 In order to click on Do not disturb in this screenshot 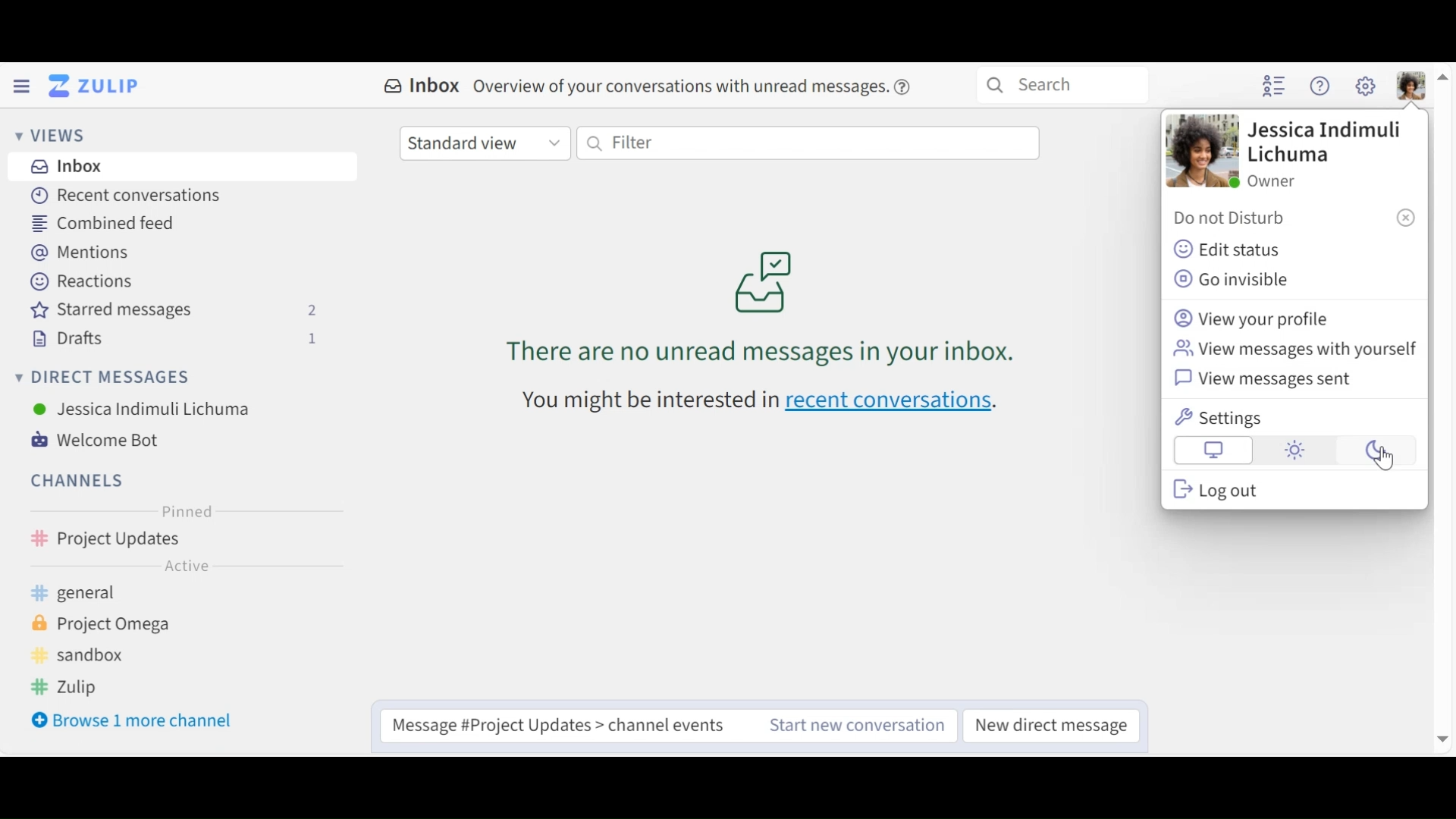, I will do `click(1235, 219)`.